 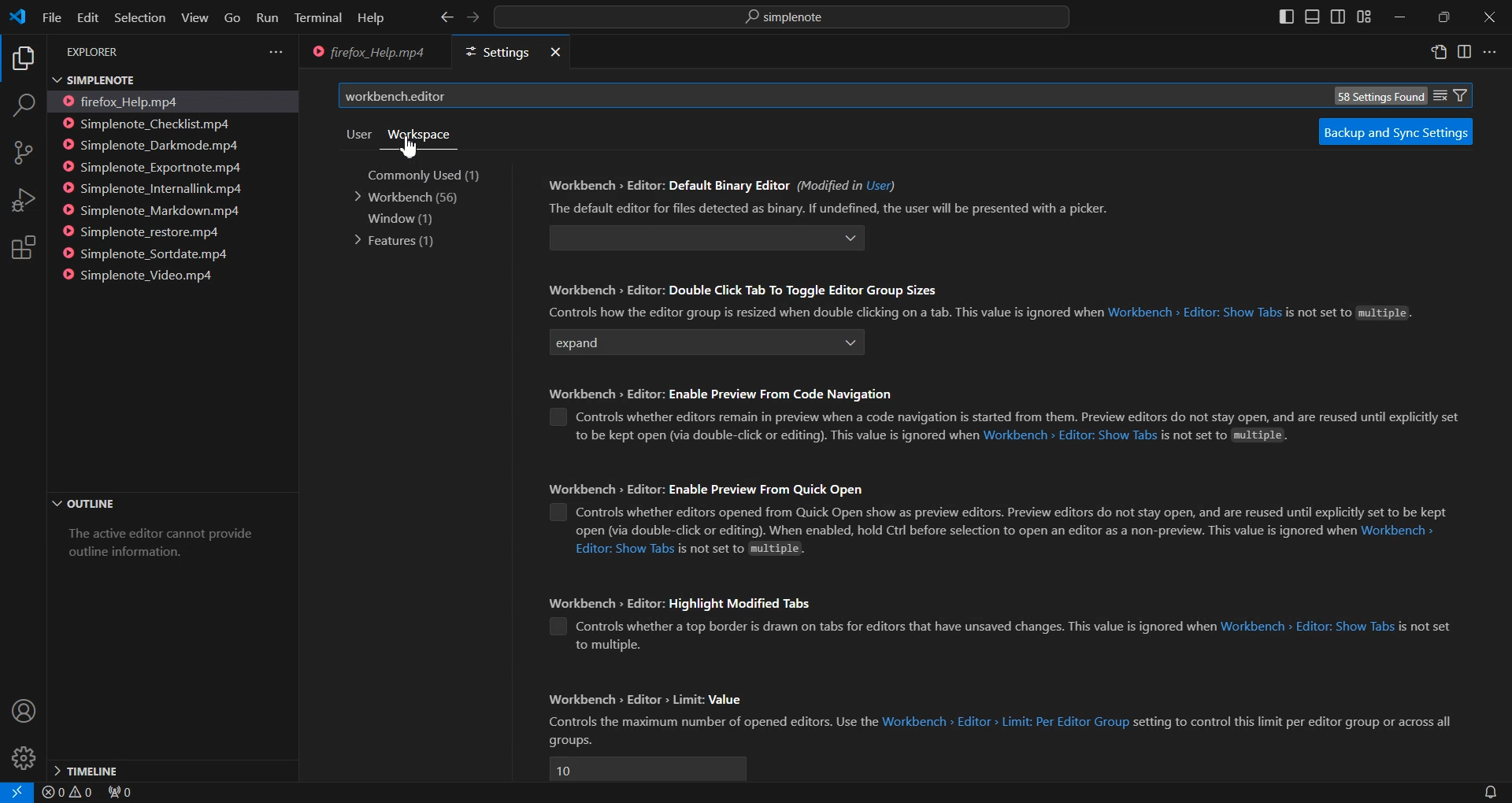 I want to click on No Port Forwarded, so click(x=125, y=794).